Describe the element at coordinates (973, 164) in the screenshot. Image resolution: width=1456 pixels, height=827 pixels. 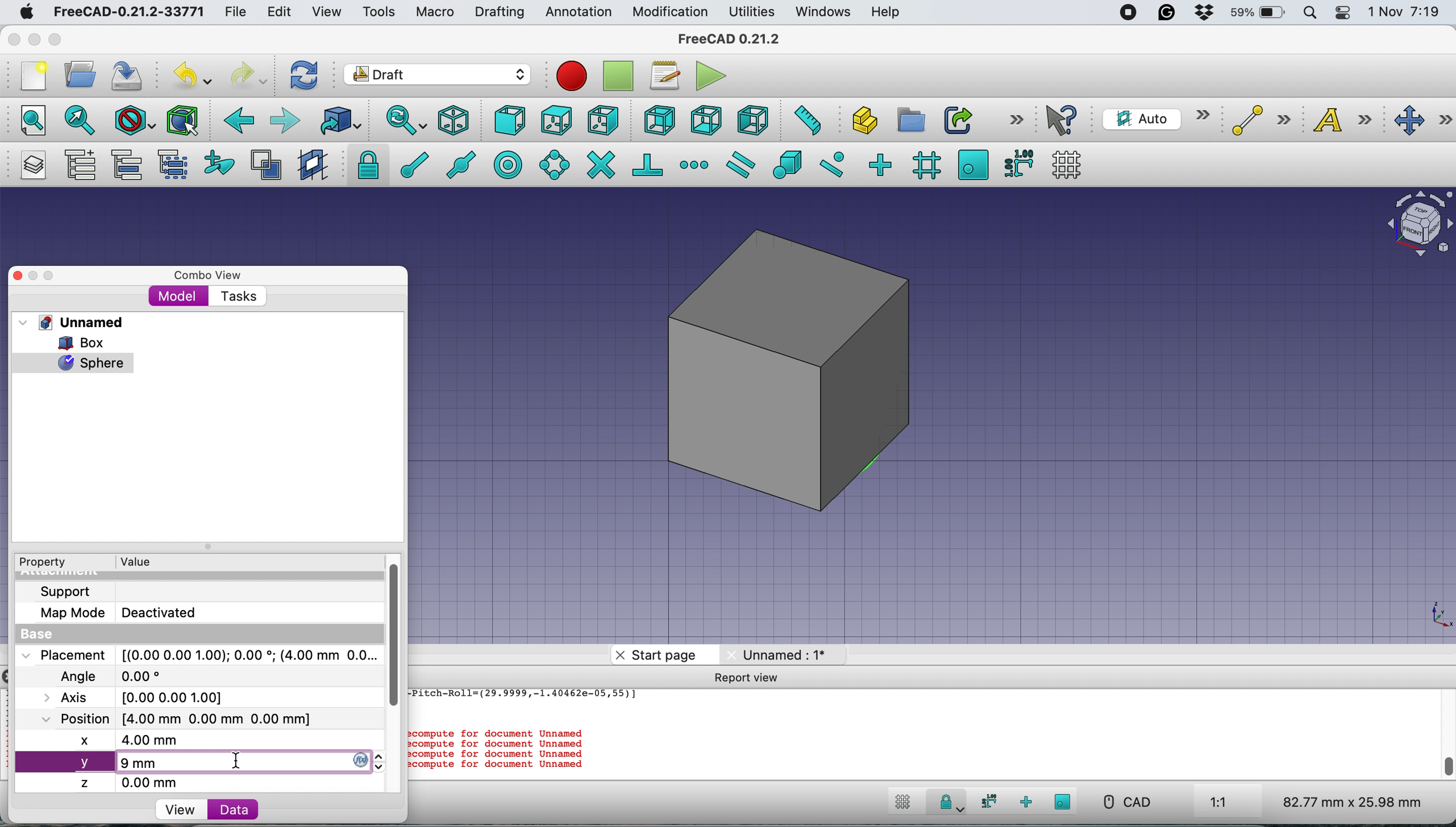
I see `snap working plane` at that location.